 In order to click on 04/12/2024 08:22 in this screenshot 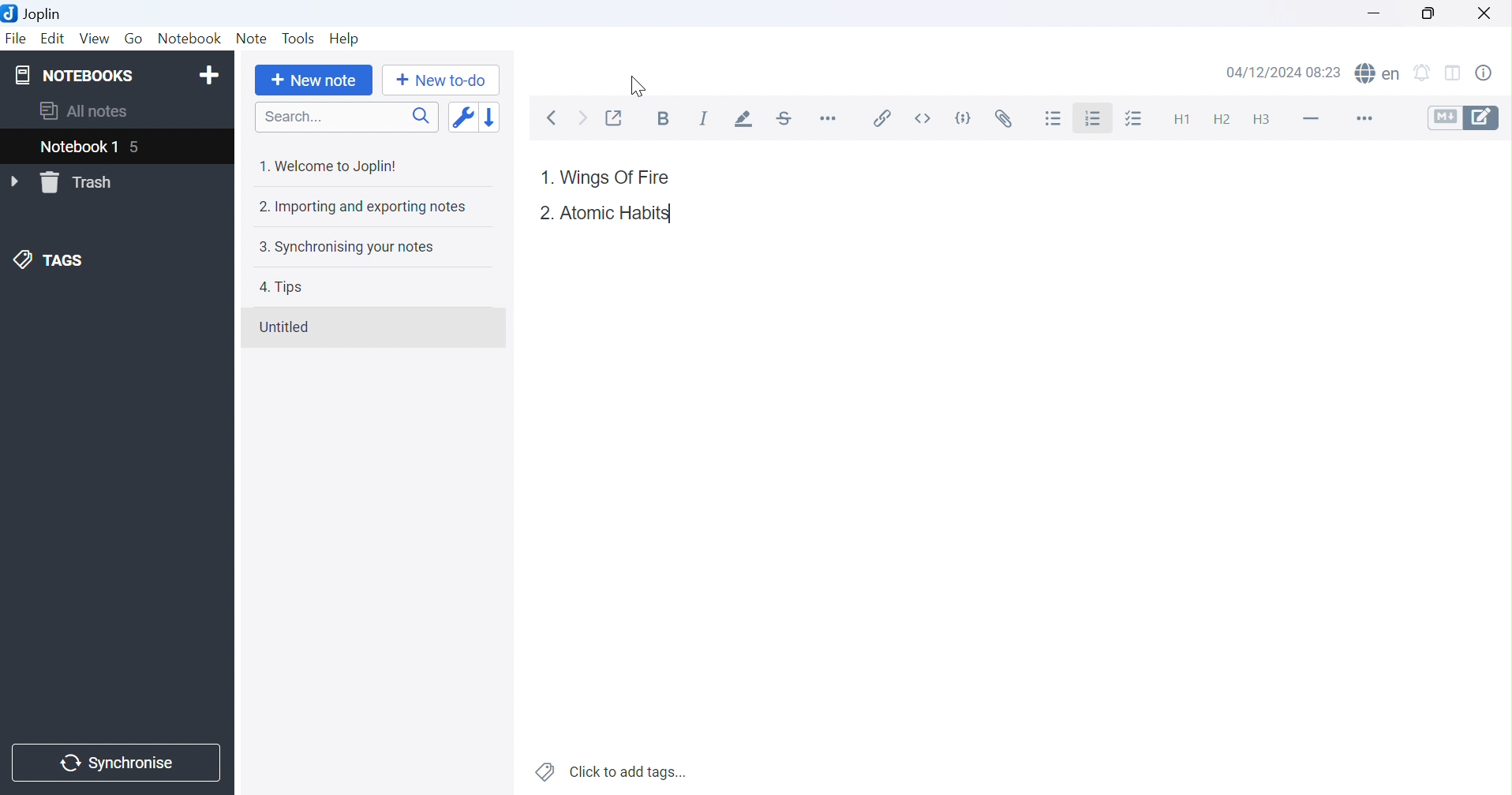, I will do `click(1283, 73)`.